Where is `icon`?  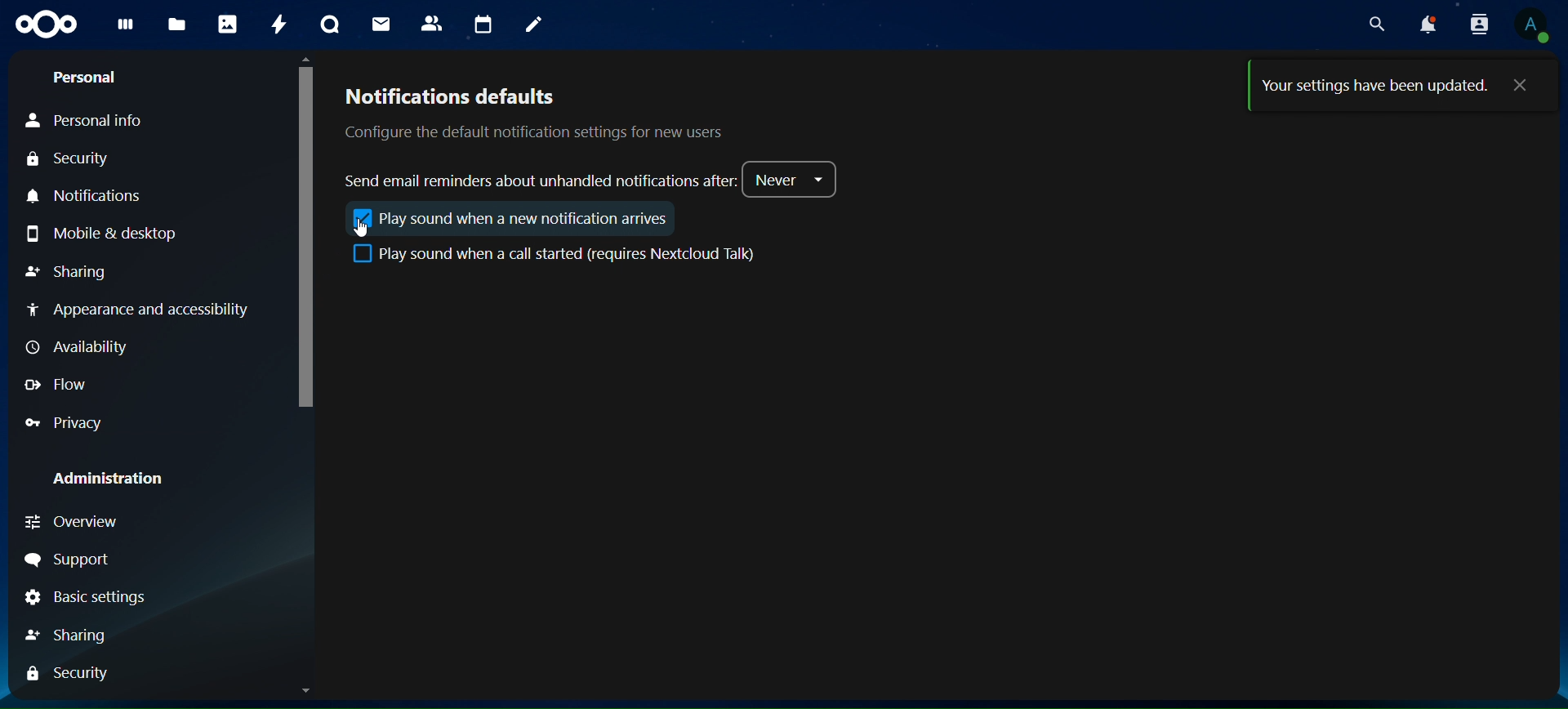
icon is located at coordinates (44, 26).